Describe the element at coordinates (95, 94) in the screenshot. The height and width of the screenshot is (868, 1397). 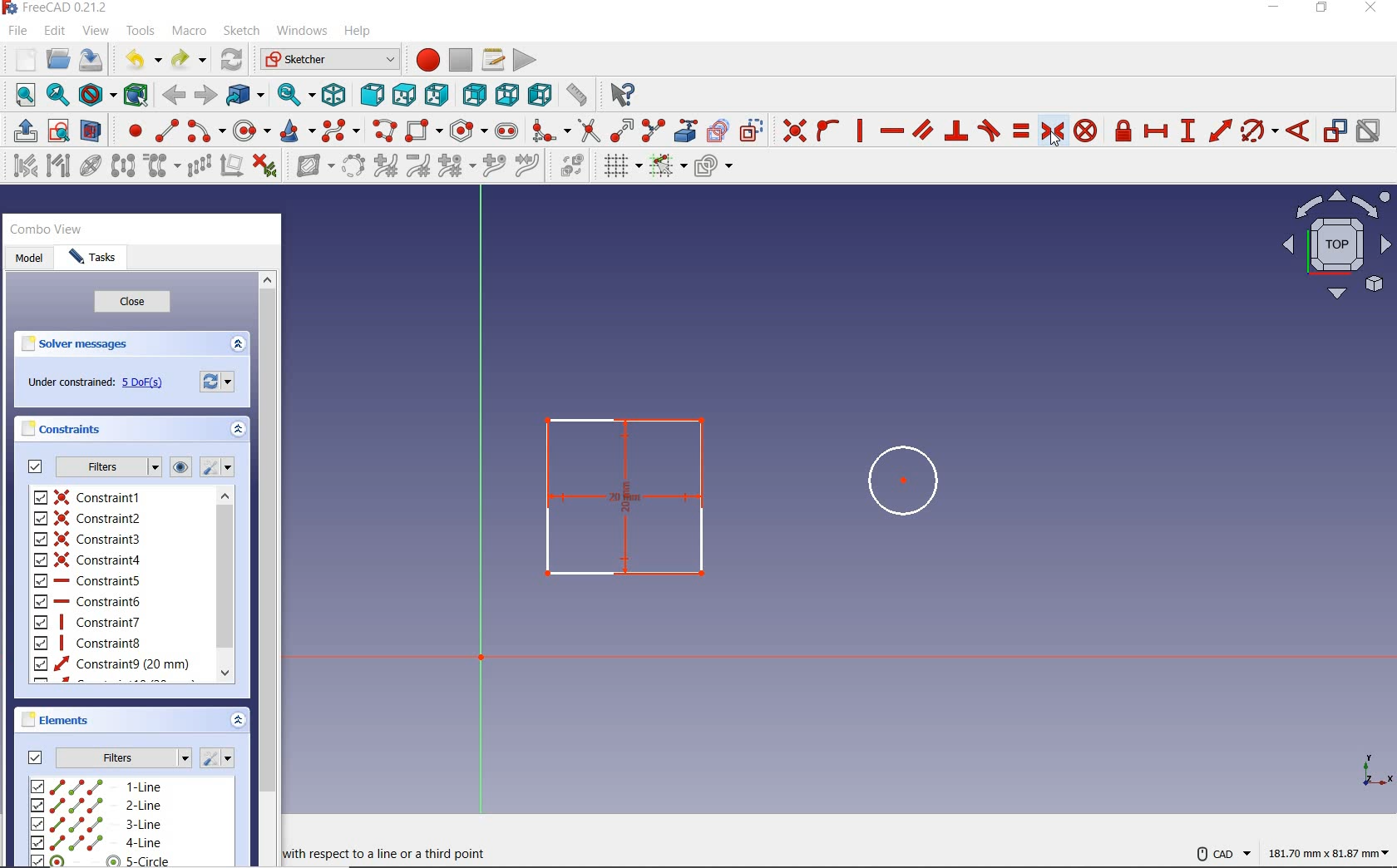
I see `draw style` at that location.